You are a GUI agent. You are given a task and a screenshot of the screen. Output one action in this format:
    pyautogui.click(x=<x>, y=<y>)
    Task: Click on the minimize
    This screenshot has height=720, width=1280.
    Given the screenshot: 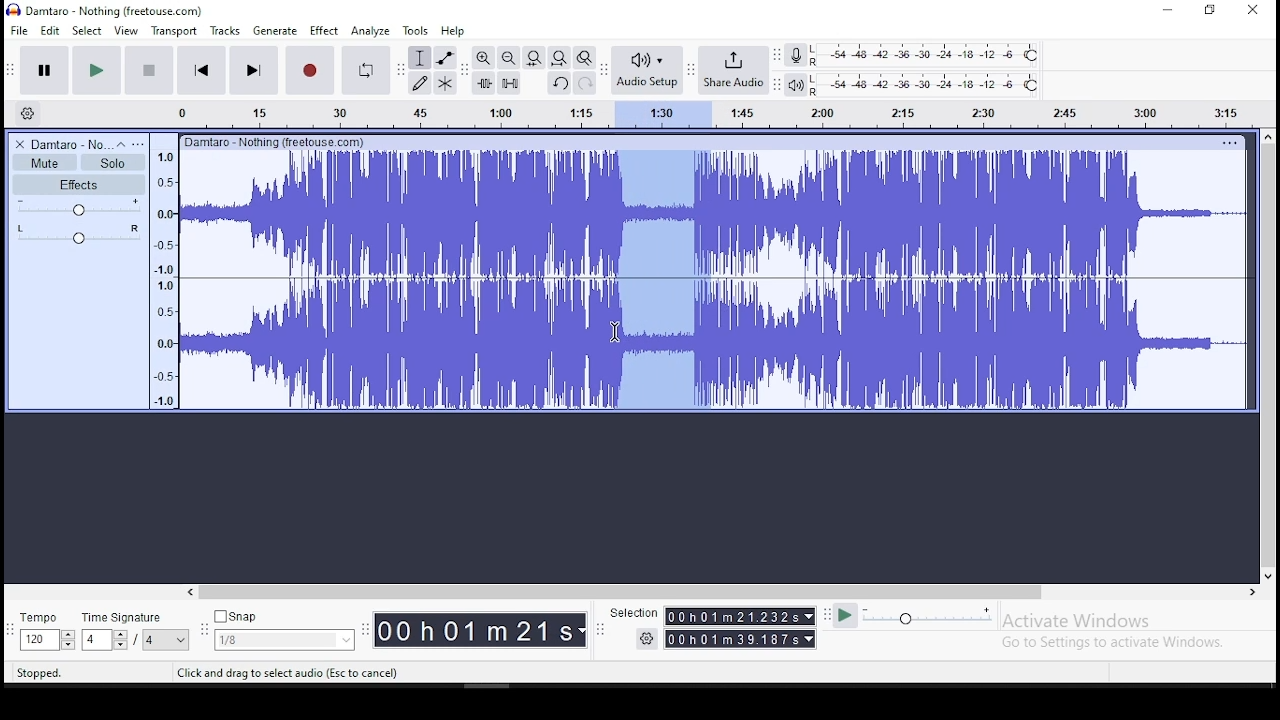 What is the action you would take?
    pyautogui.click(x=1169, y=11)
    